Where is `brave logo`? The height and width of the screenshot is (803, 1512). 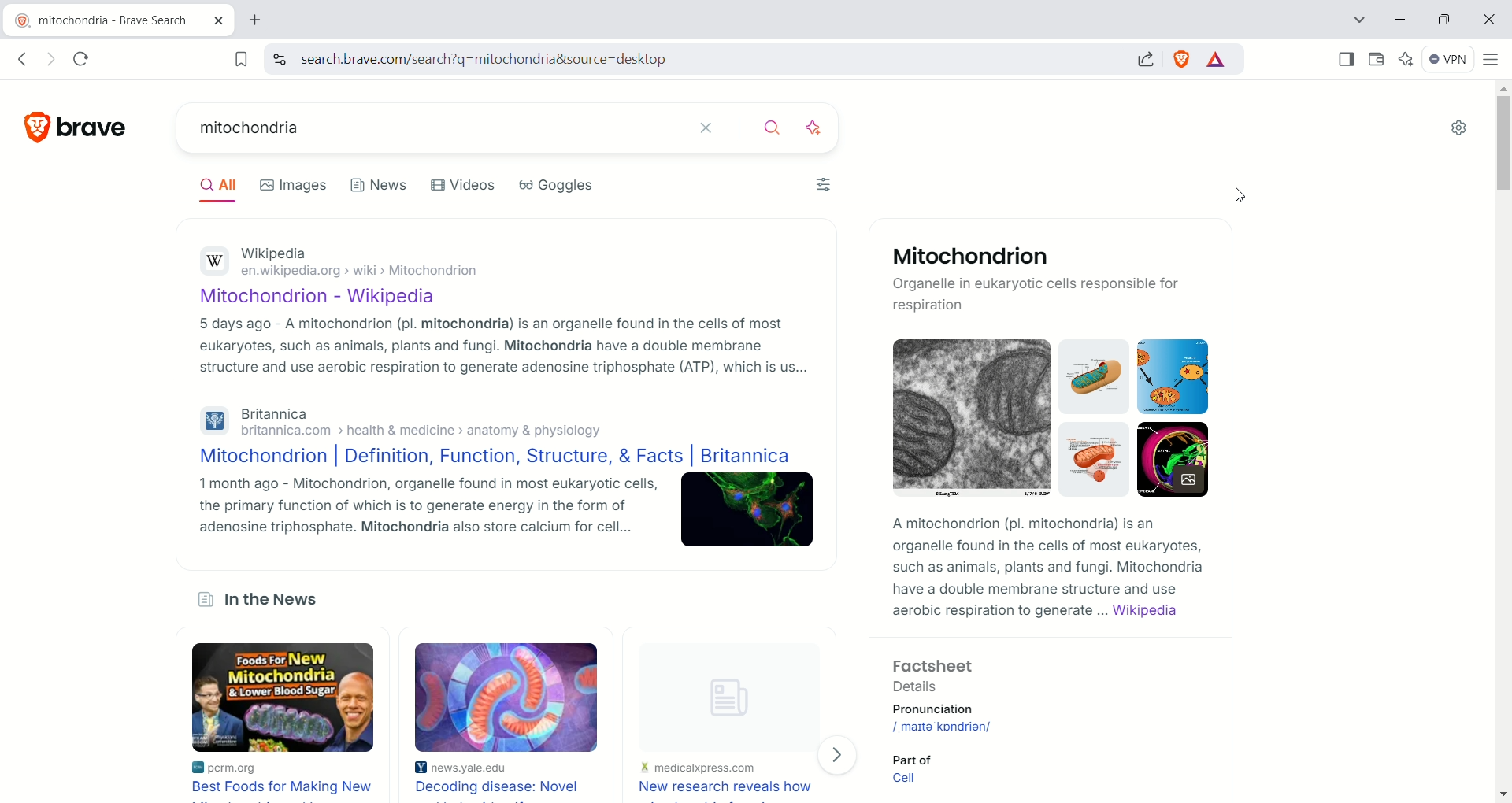
brave logo is located at coordinates (21, 20).